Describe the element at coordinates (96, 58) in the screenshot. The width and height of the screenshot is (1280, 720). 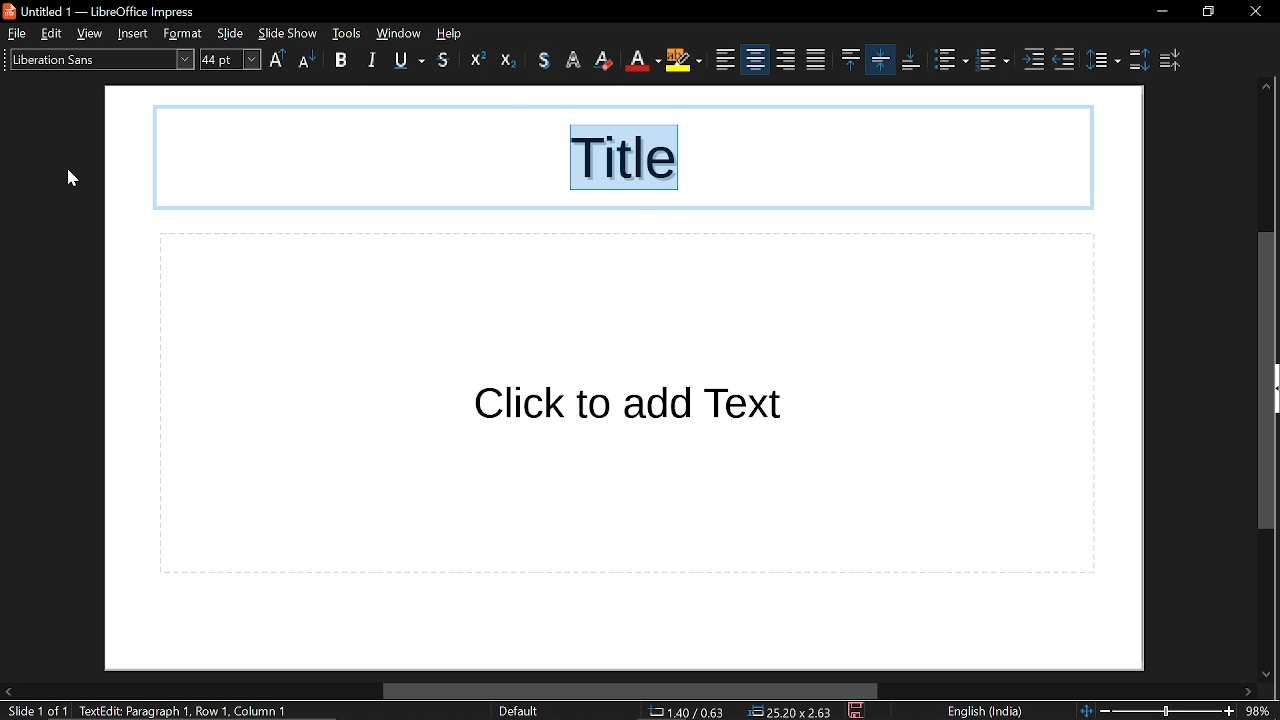
I see `text style` at that location.